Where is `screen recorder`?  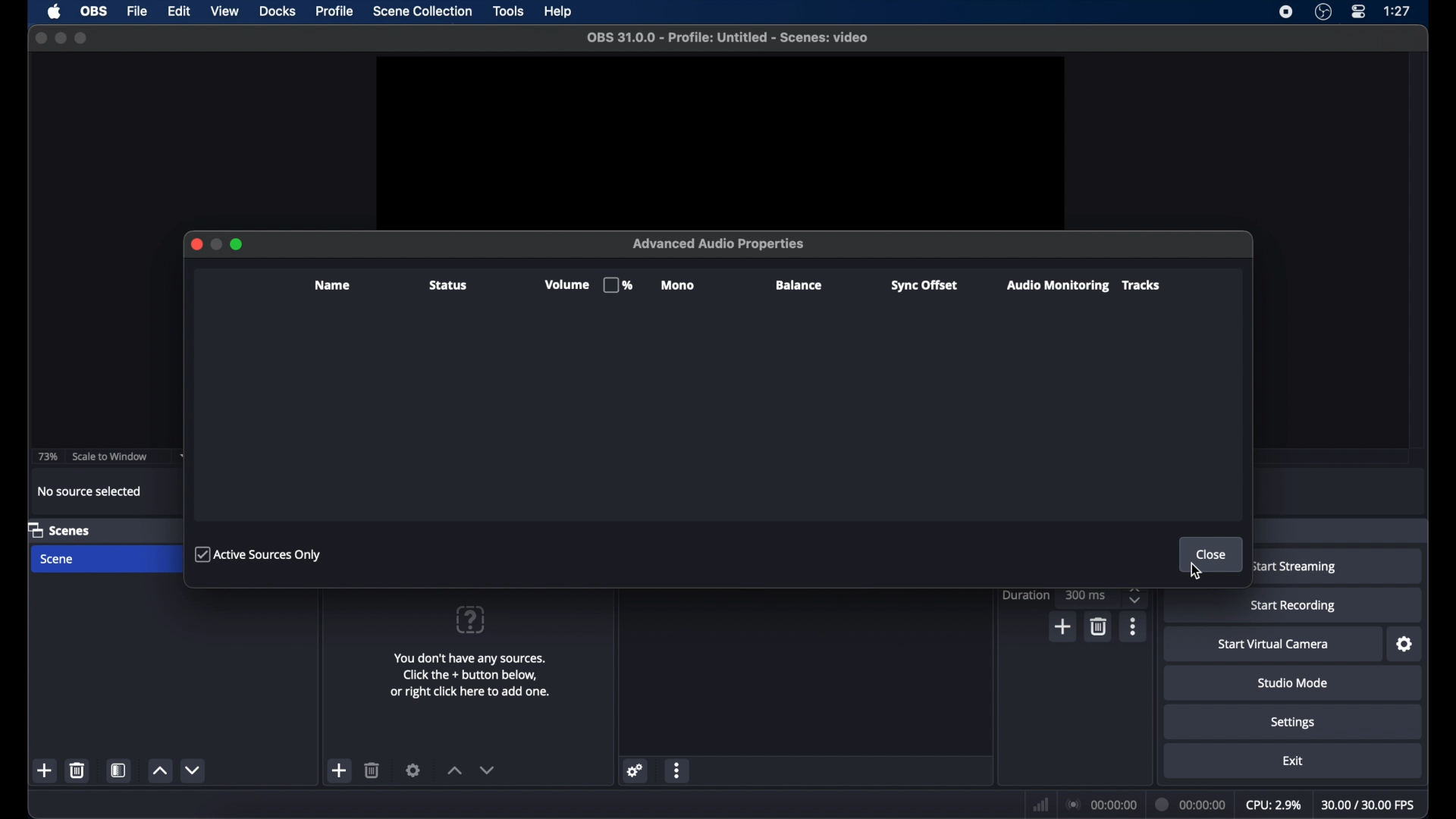 screen recorder is located at coordinates (1284, 13).